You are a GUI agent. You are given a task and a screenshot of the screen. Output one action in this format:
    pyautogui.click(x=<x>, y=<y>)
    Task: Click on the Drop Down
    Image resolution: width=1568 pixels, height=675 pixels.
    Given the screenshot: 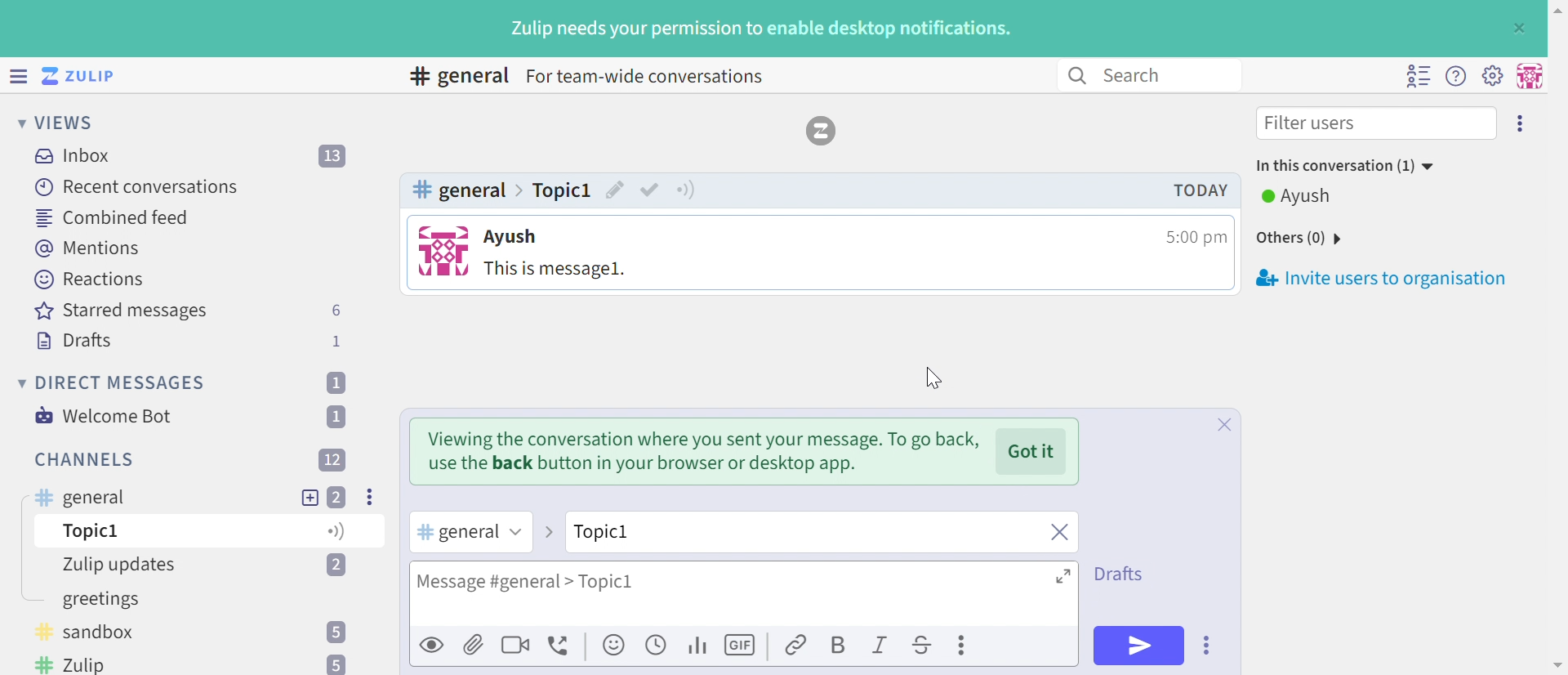 What is the action you would take?
    pyautogui.click(x=514, y=532)
    